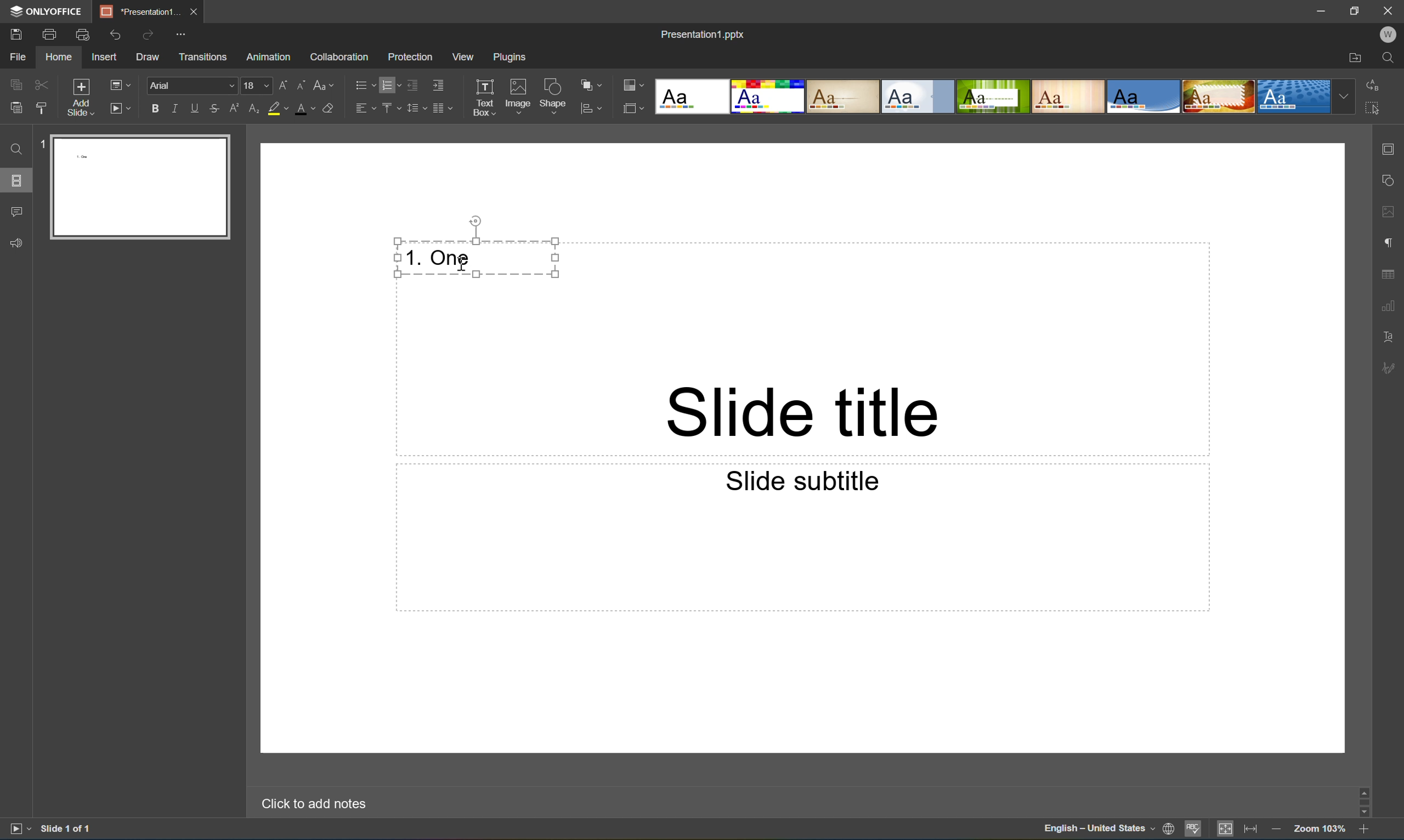 Image resolution: width=1404 pixels, height=840 pixels. What do you see at coordinates (1098, 832) in the screenshot?
I see `English - United States` at bounding box center [1098, 832].